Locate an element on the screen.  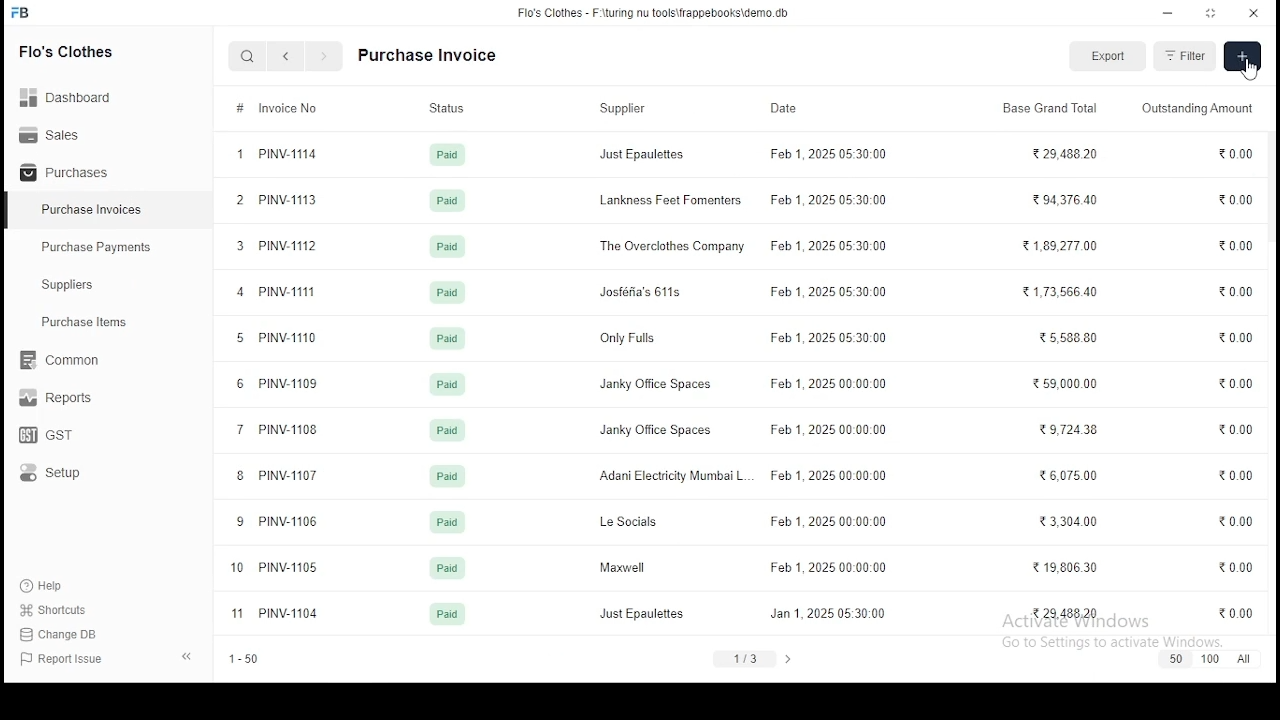
Maxwell is located at coordinates (625, 569).